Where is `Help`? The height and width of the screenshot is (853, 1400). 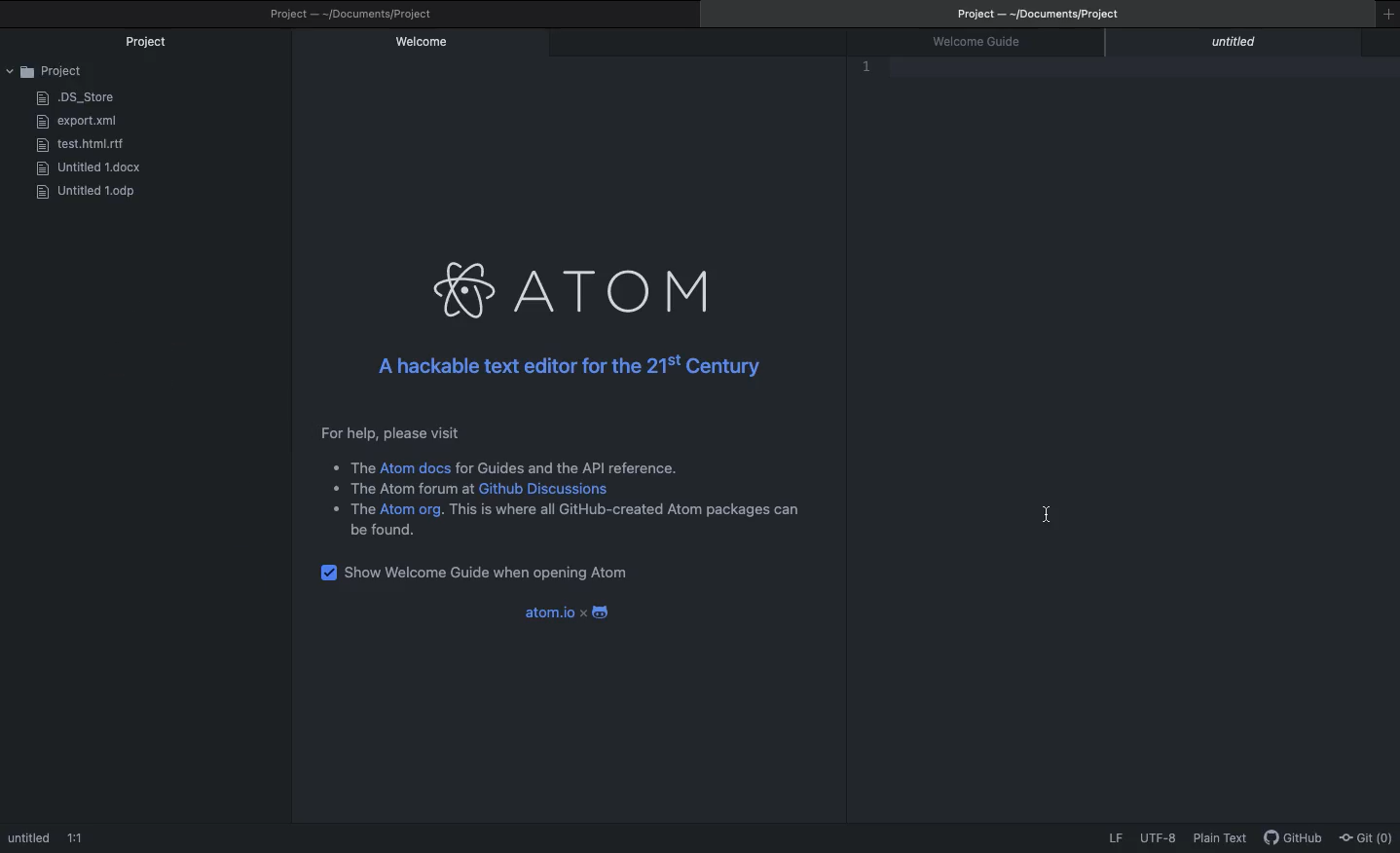 Help is located at coordinates (556, 483).